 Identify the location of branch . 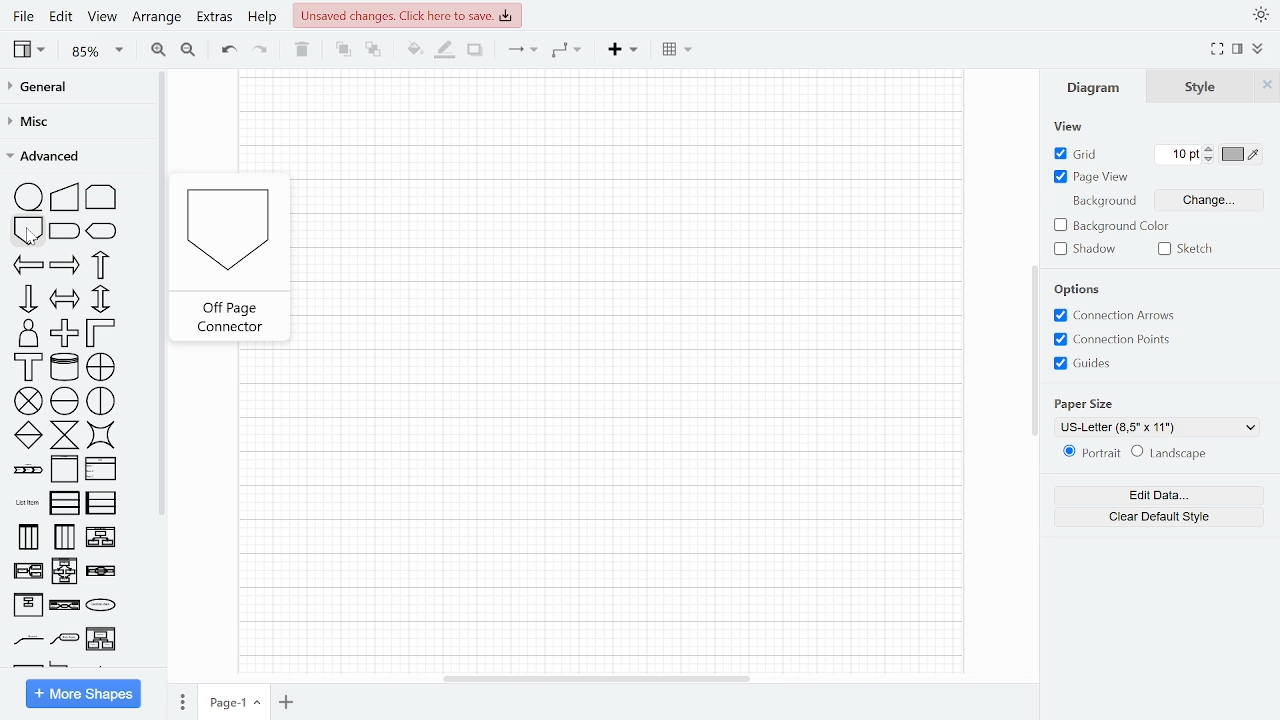
(102, 606).